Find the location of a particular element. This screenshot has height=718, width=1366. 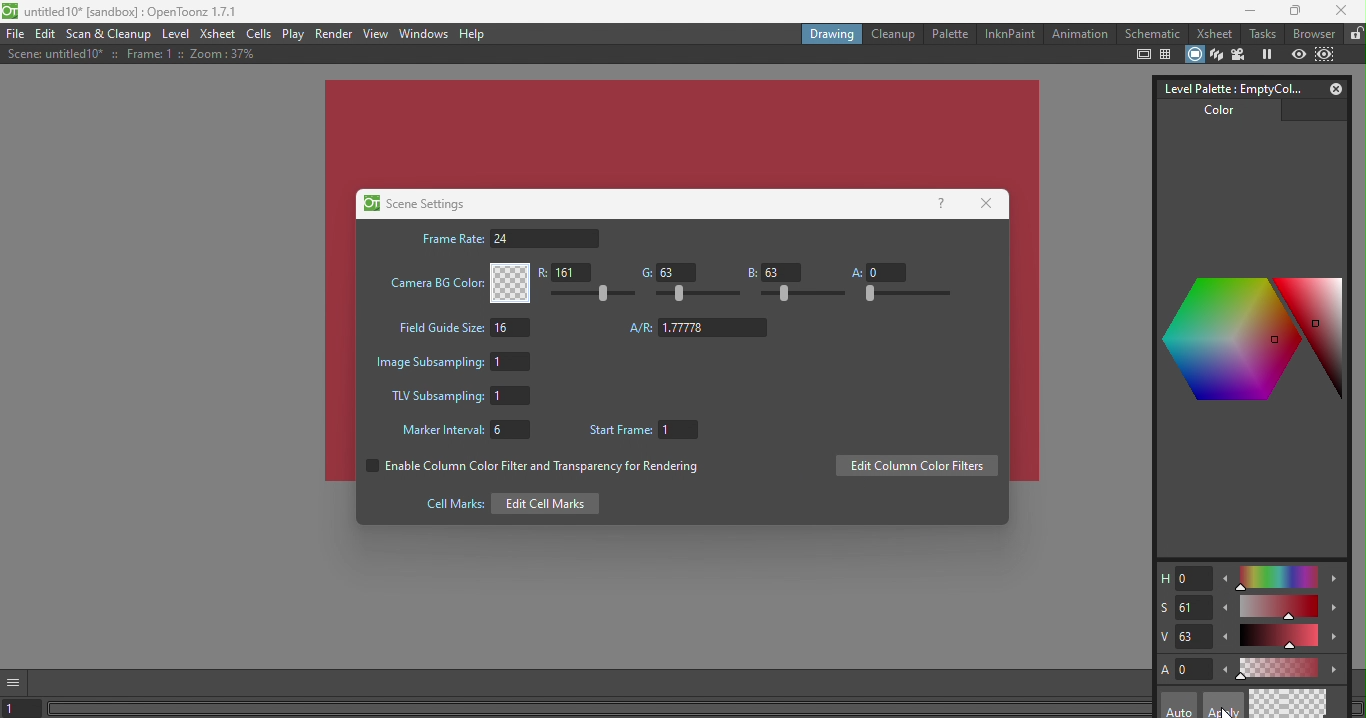

Image subsampling is located at coordinates (457, 360).